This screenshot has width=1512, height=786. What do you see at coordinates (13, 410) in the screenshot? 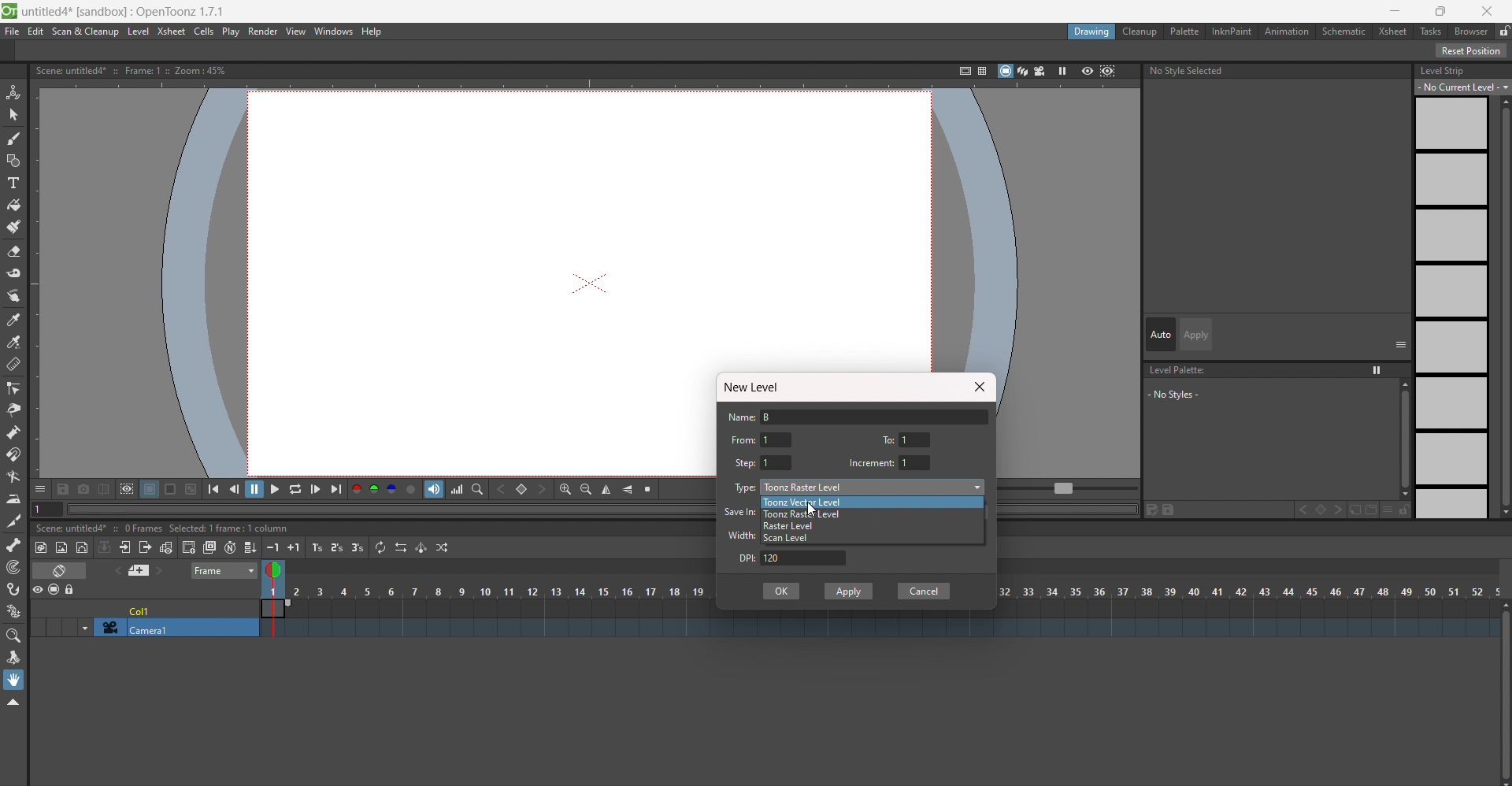
I see `pinch tool` at bounding box center [13, 410].